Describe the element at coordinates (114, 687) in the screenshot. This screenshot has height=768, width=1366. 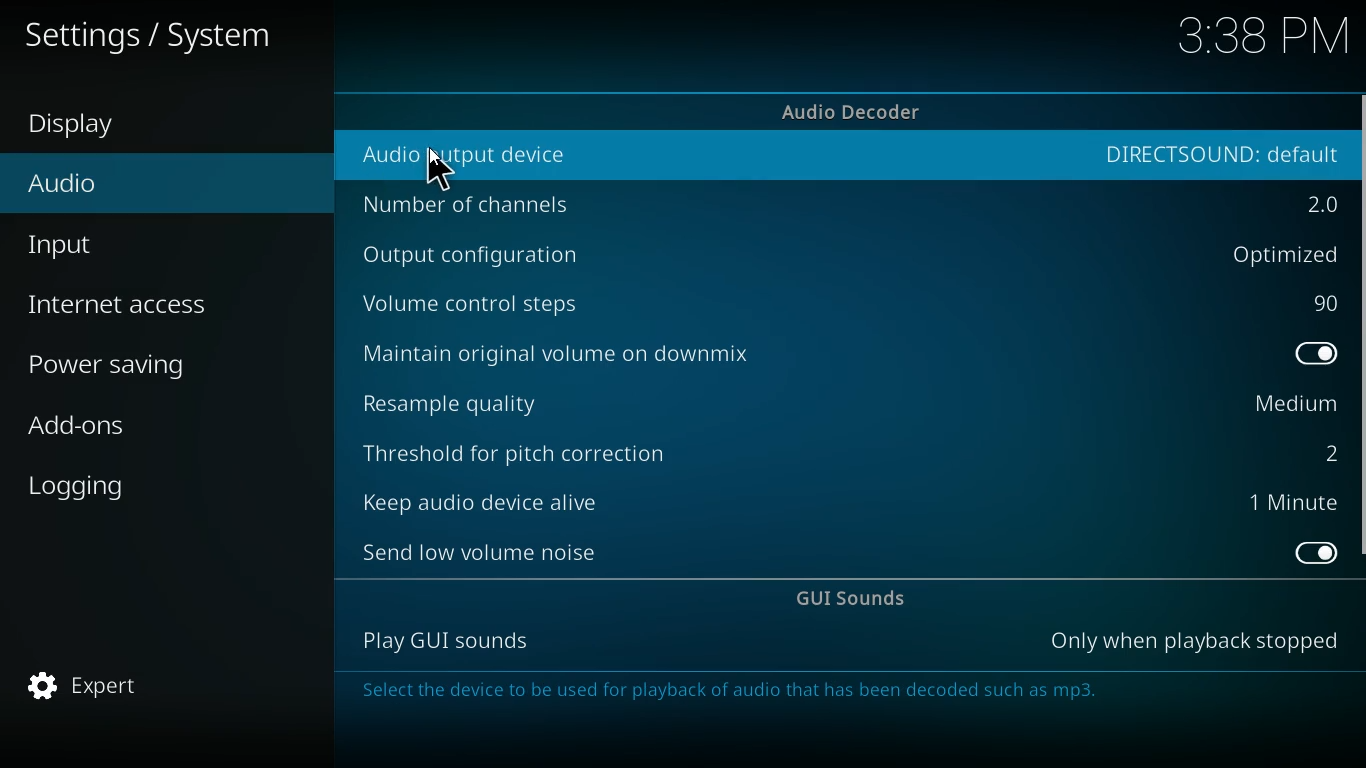
I see `expert` at that location.